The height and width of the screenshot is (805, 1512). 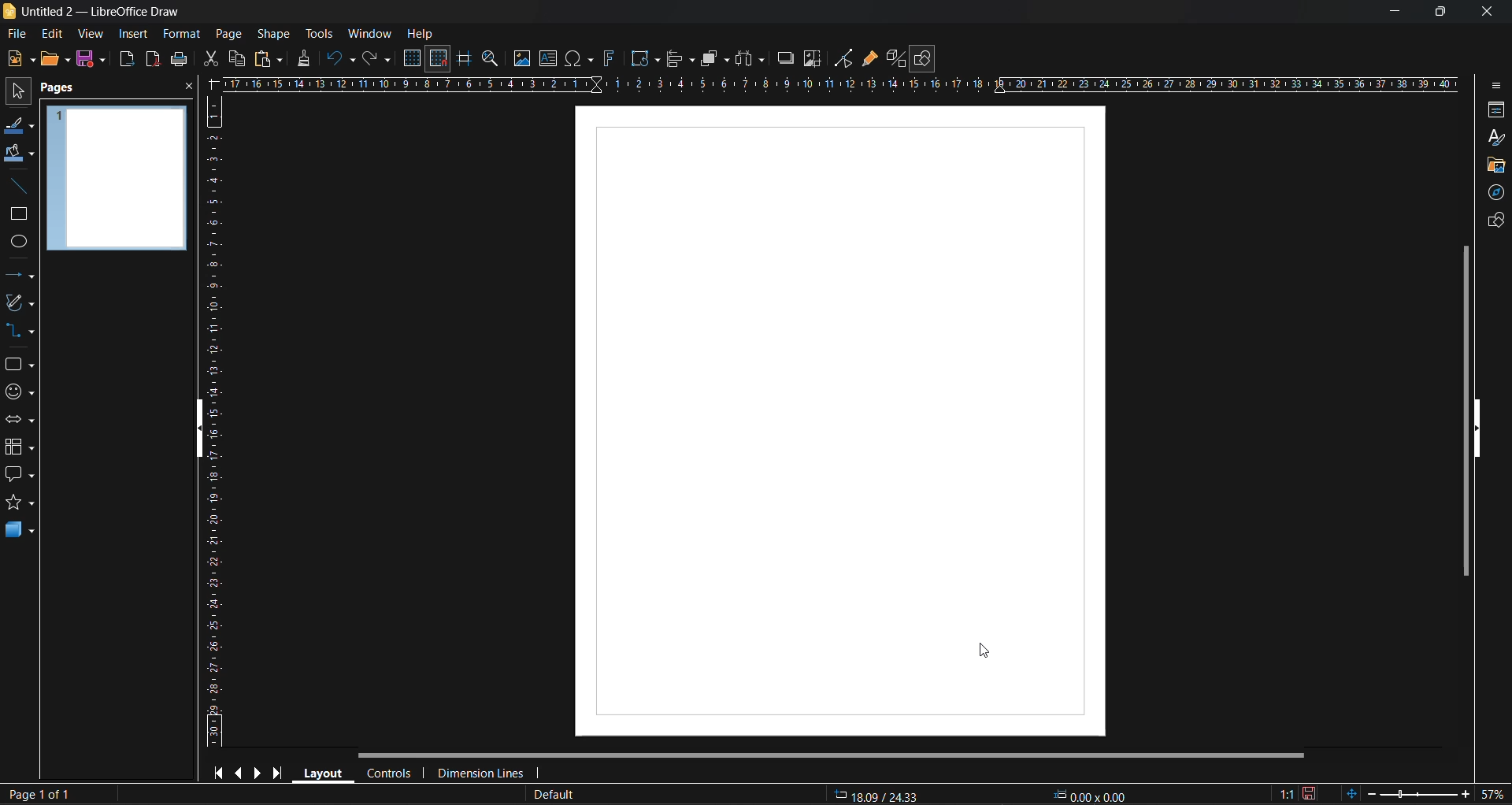 I want to click on vertical scroll bar, so click(x=1461, y=413).